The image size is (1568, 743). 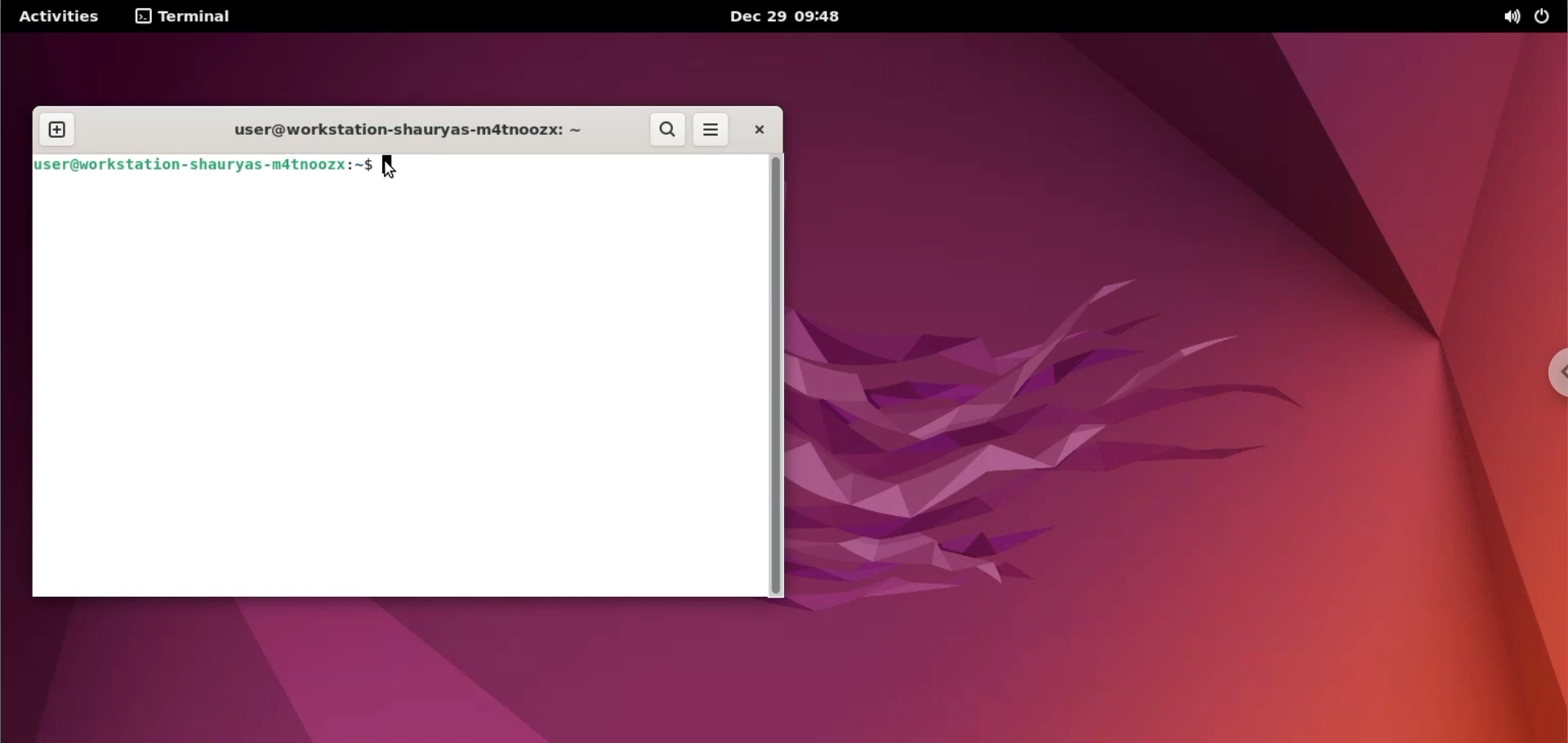 What do you see at coordinates (1545, 380) in the screenshot?
I see `chrome options` at bounding box center [1545, 380].